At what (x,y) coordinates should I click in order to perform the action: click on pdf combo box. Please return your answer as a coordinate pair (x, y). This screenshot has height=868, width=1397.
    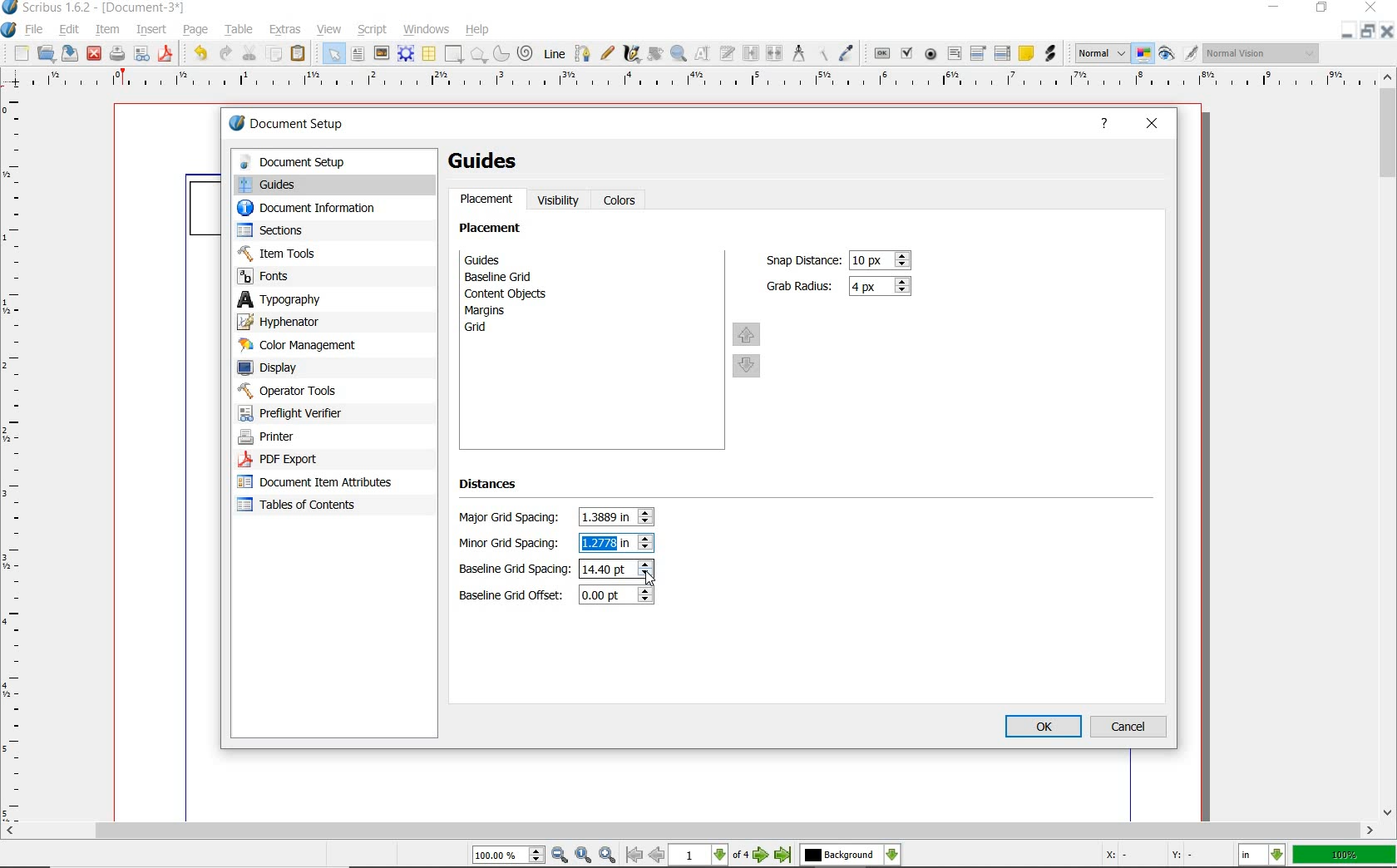
    Looking at the image, I should click on (978, 52).